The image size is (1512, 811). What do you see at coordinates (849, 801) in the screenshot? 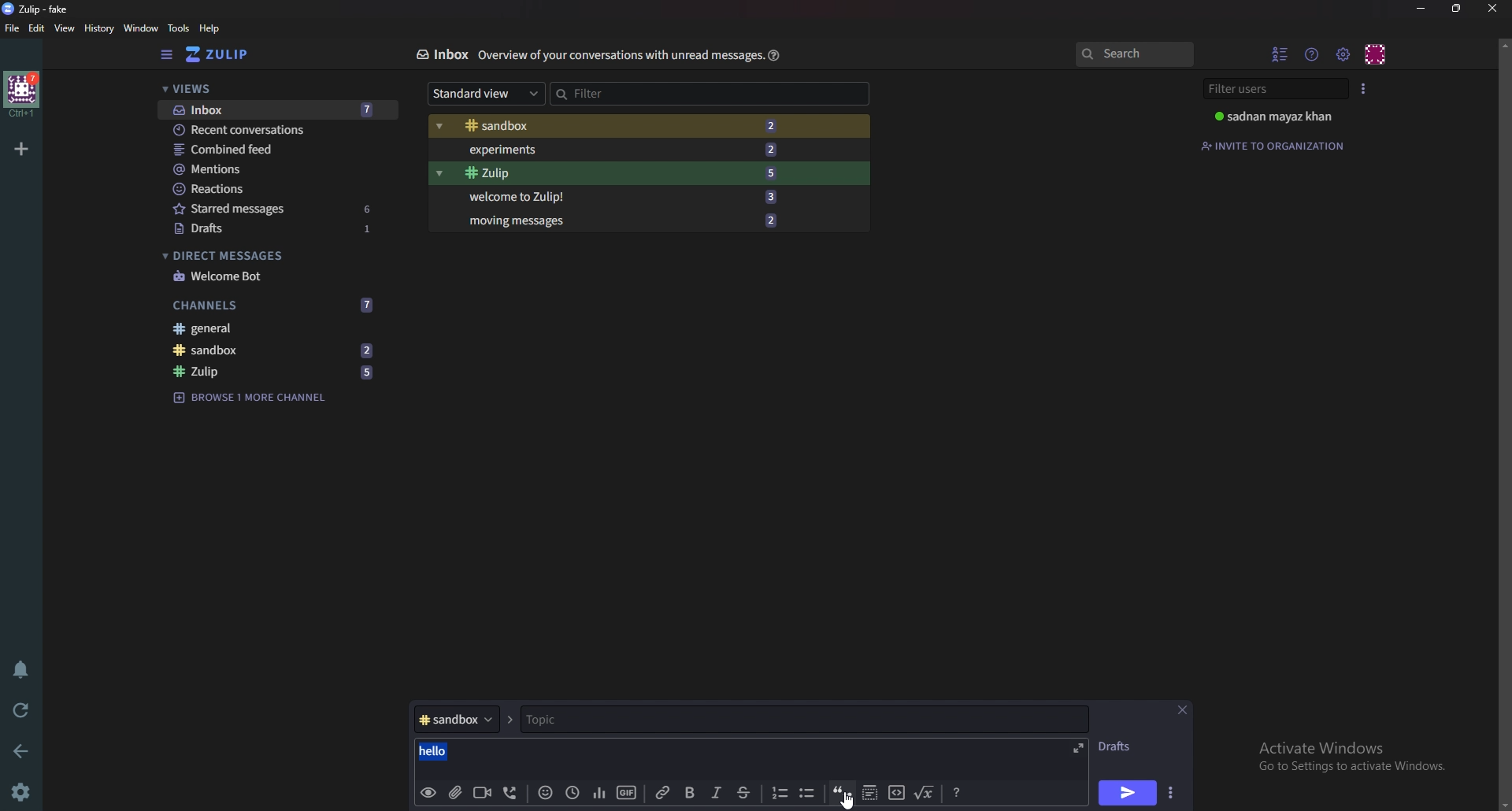
I see `Cursor` at bounding box center [849, 801].